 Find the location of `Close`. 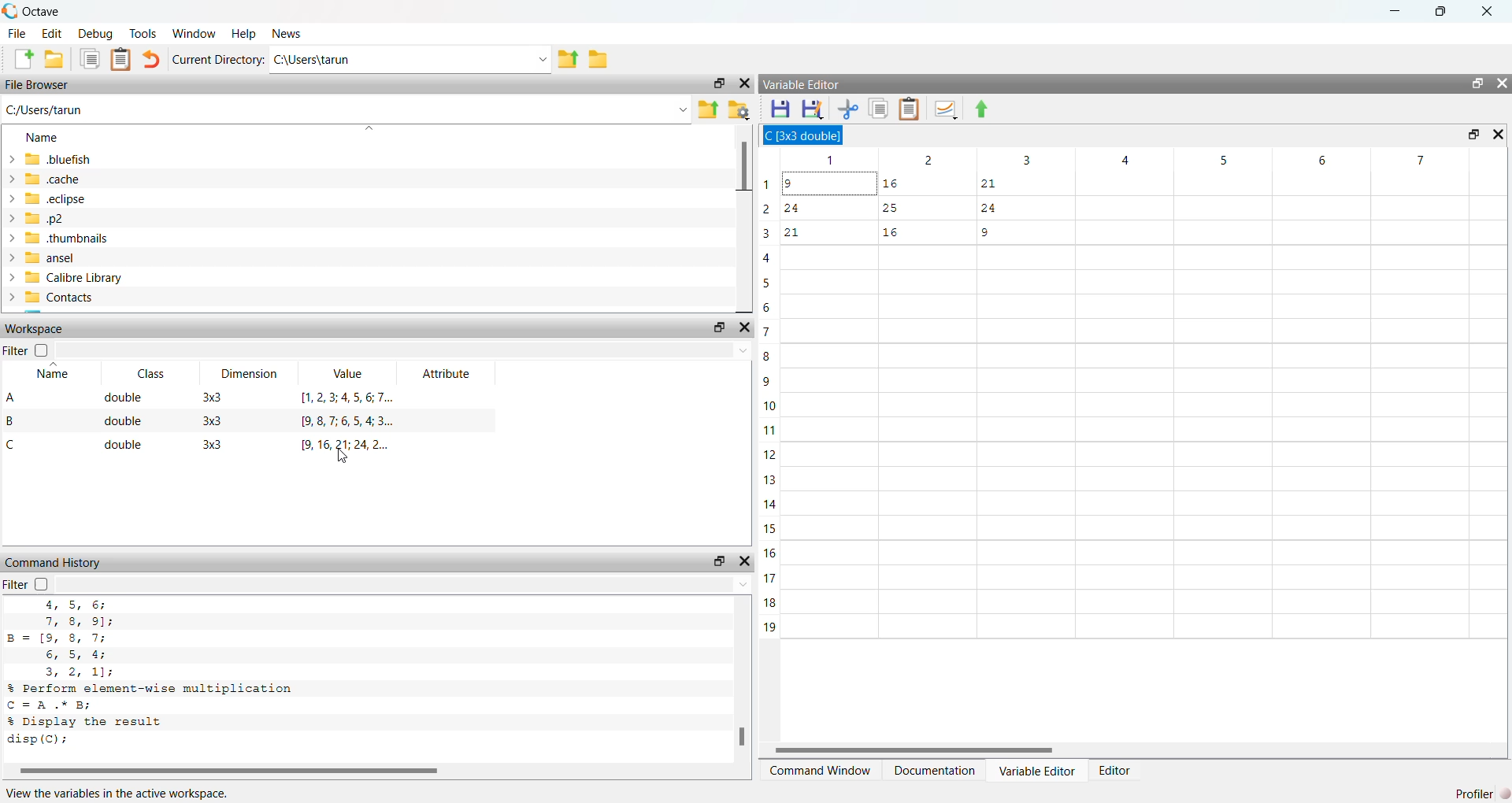

Close is located at coordinates (745, 328).